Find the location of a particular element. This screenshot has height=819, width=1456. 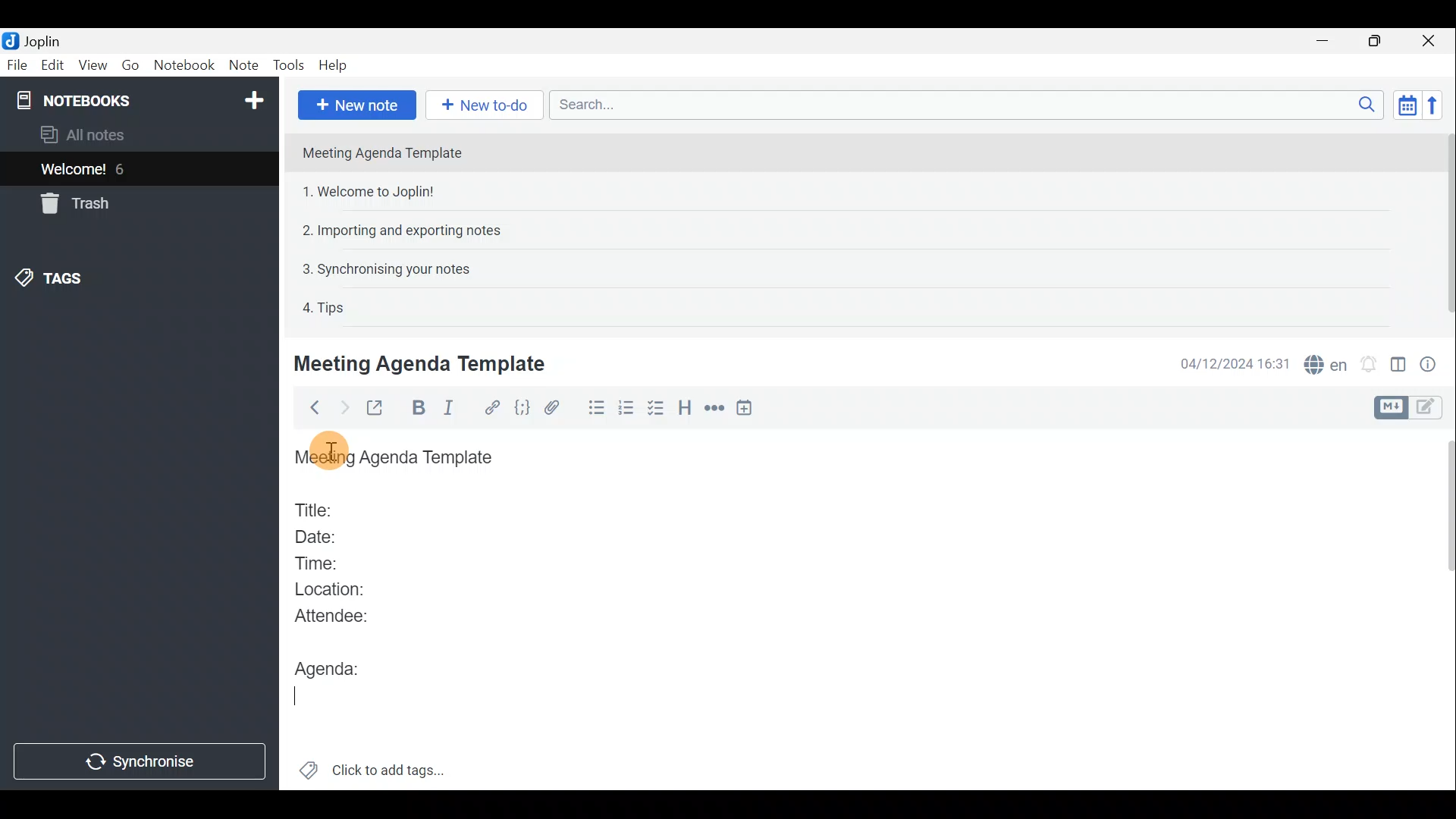

Back is located at coordinates (310, 410).